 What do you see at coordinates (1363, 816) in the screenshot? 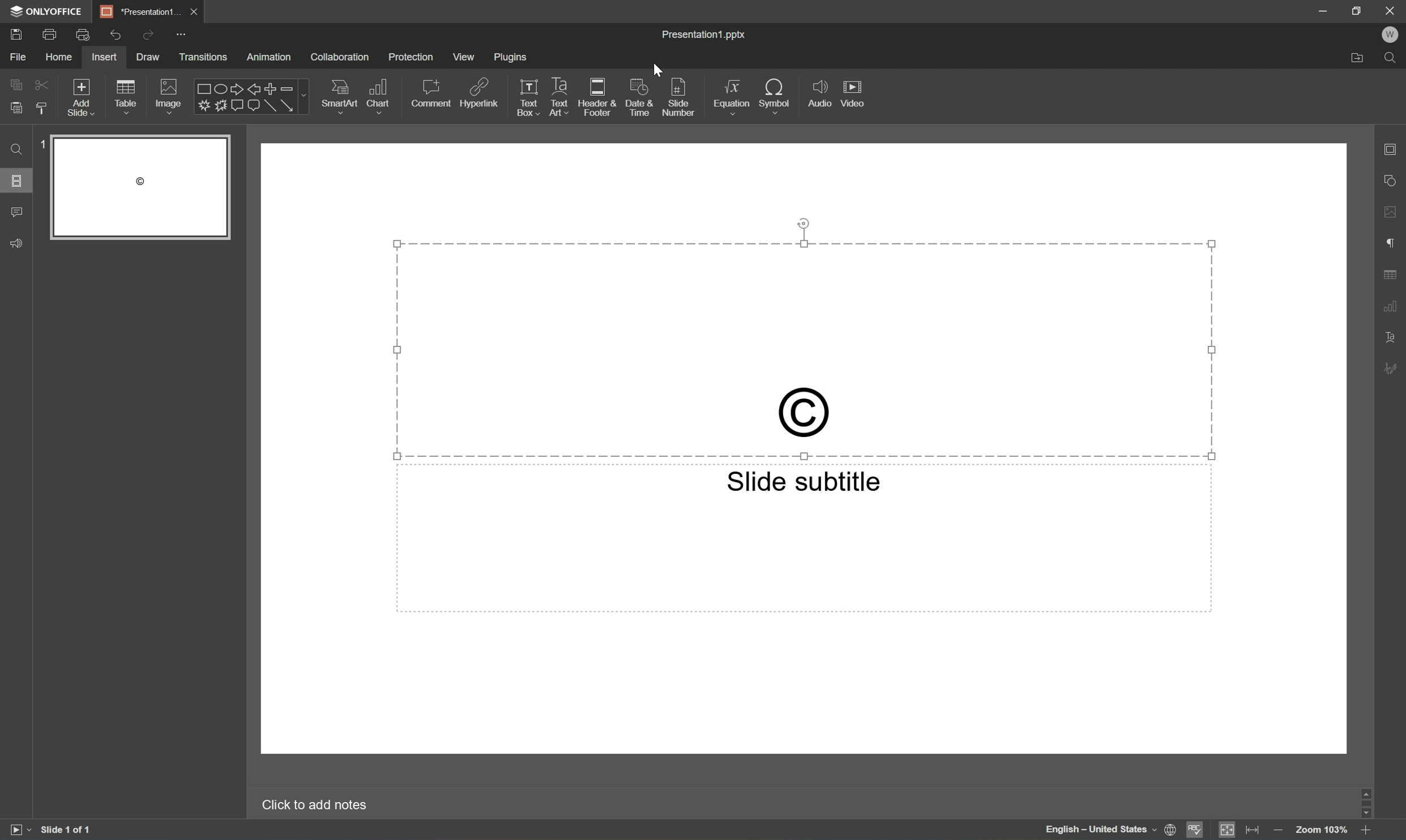
I see `Scroll Down` at bounding box center [1363, 816].